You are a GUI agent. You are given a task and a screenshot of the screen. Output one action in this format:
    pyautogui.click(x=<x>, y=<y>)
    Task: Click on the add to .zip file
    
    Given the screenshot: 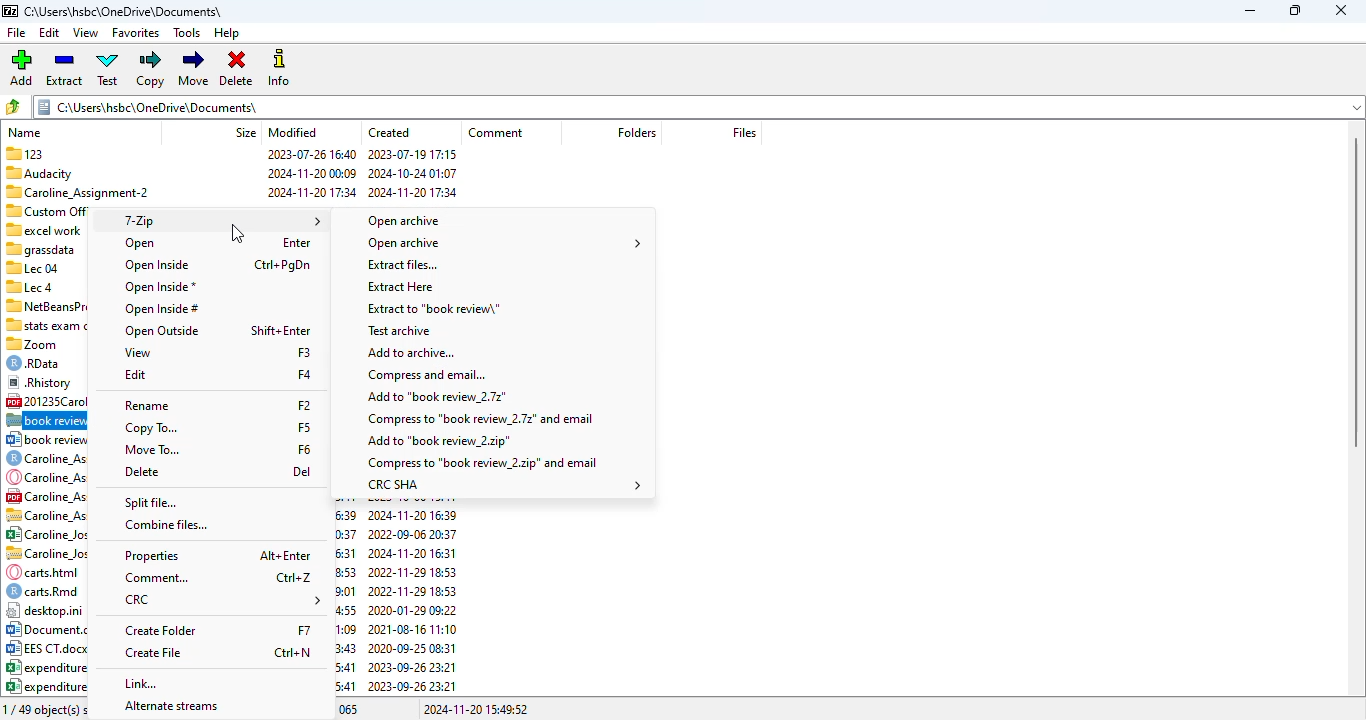 What is the action you would take?
    pyautogui.click(x=438, y=441)
    